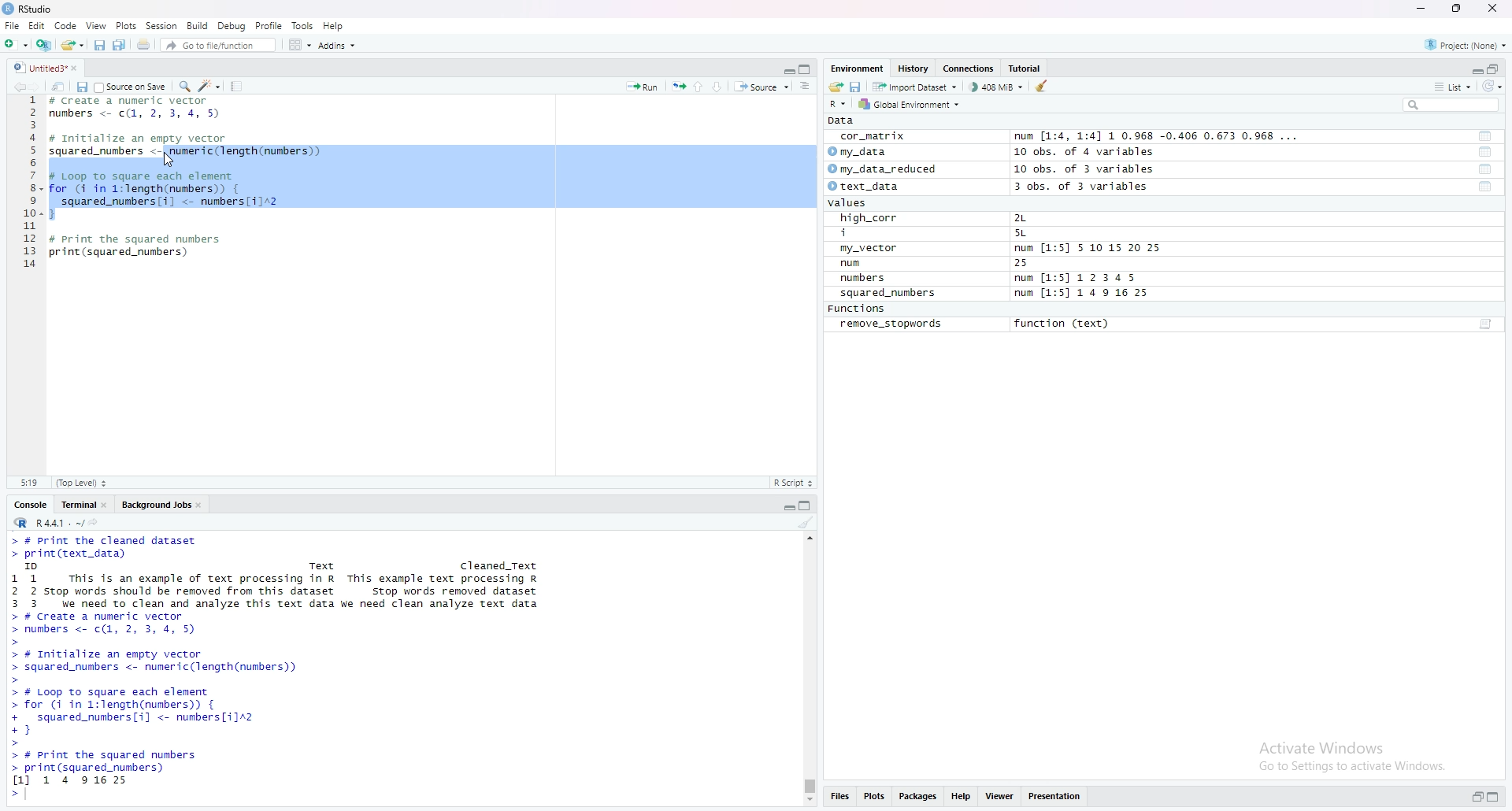 This screenshot has width=1512, height=811. I want to click on History., so click(915, 68).